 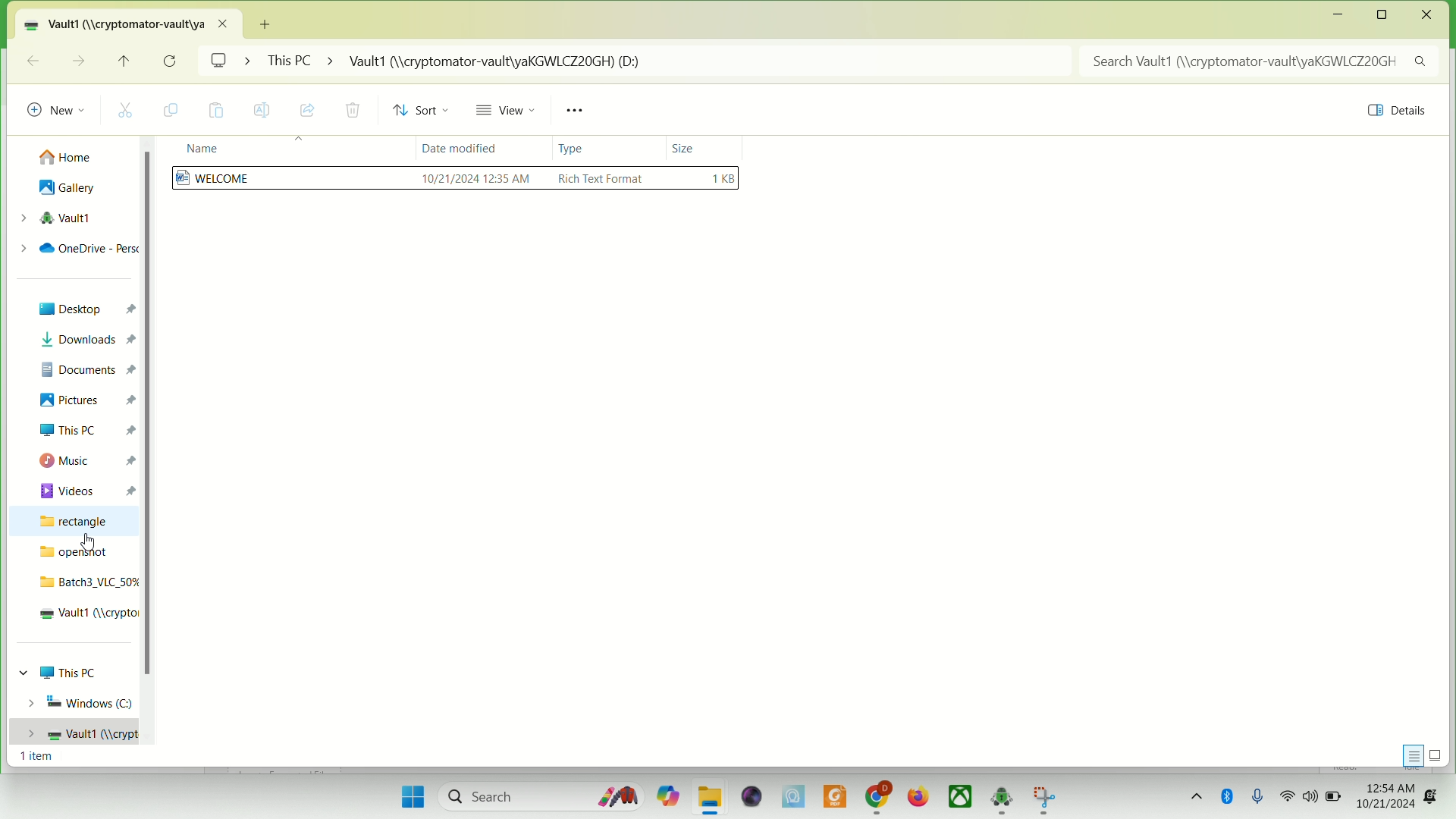 I want to click on 1 item, so click(x=34, y=758).